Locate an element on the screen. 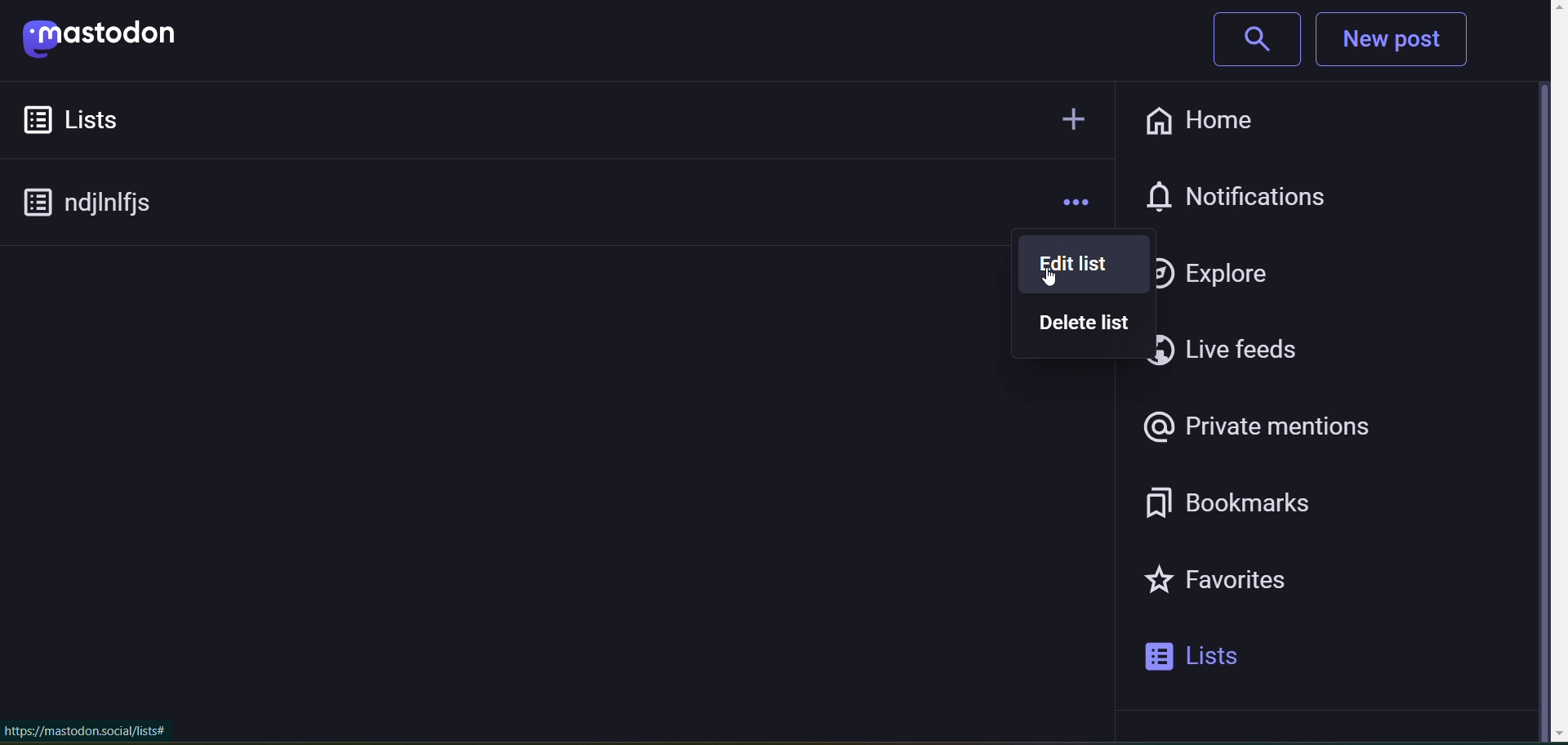  live feeds is located at coordinates (1244, 352).